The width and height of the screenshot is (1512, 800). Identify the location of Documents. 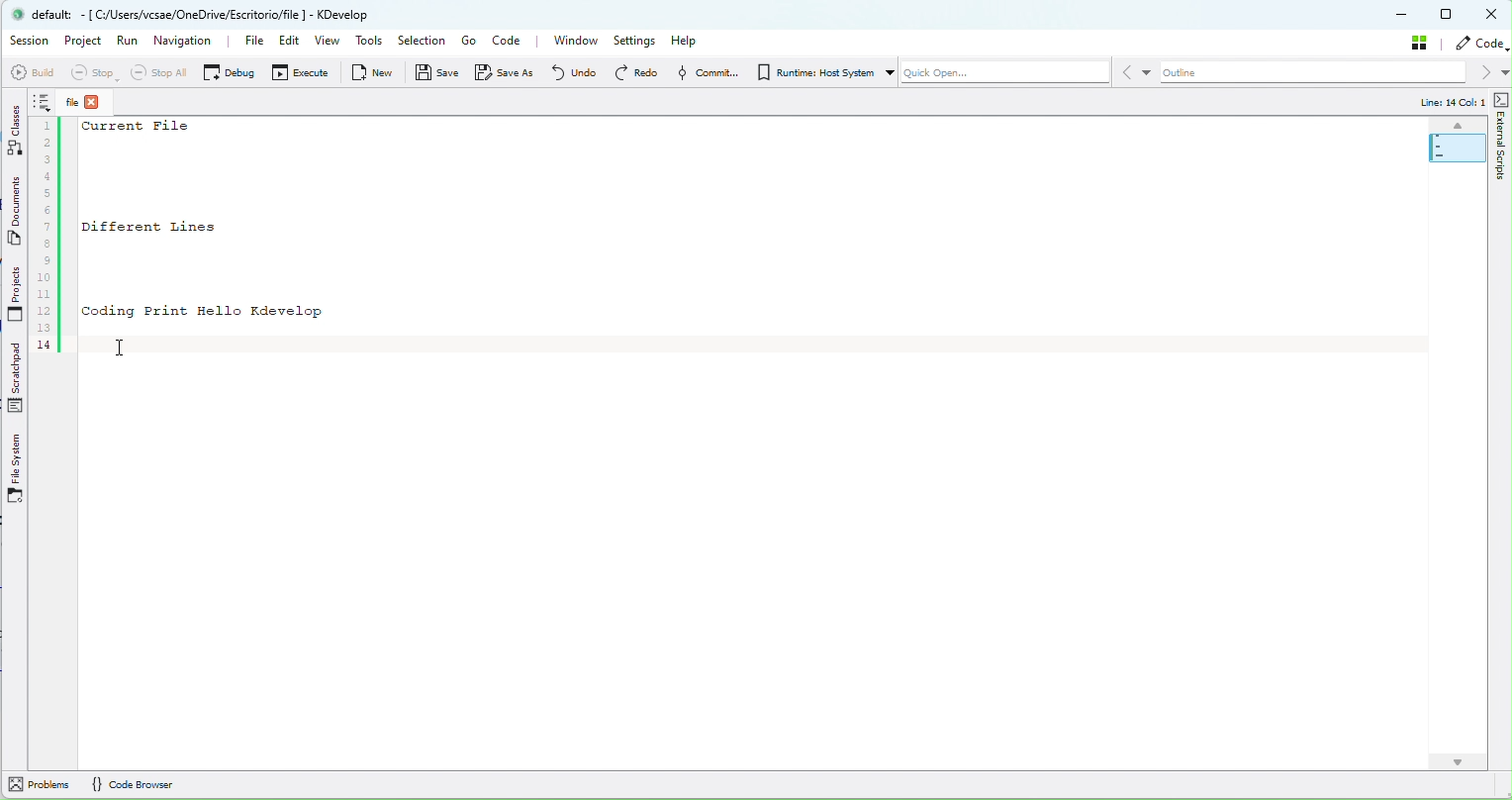
(17, 214).